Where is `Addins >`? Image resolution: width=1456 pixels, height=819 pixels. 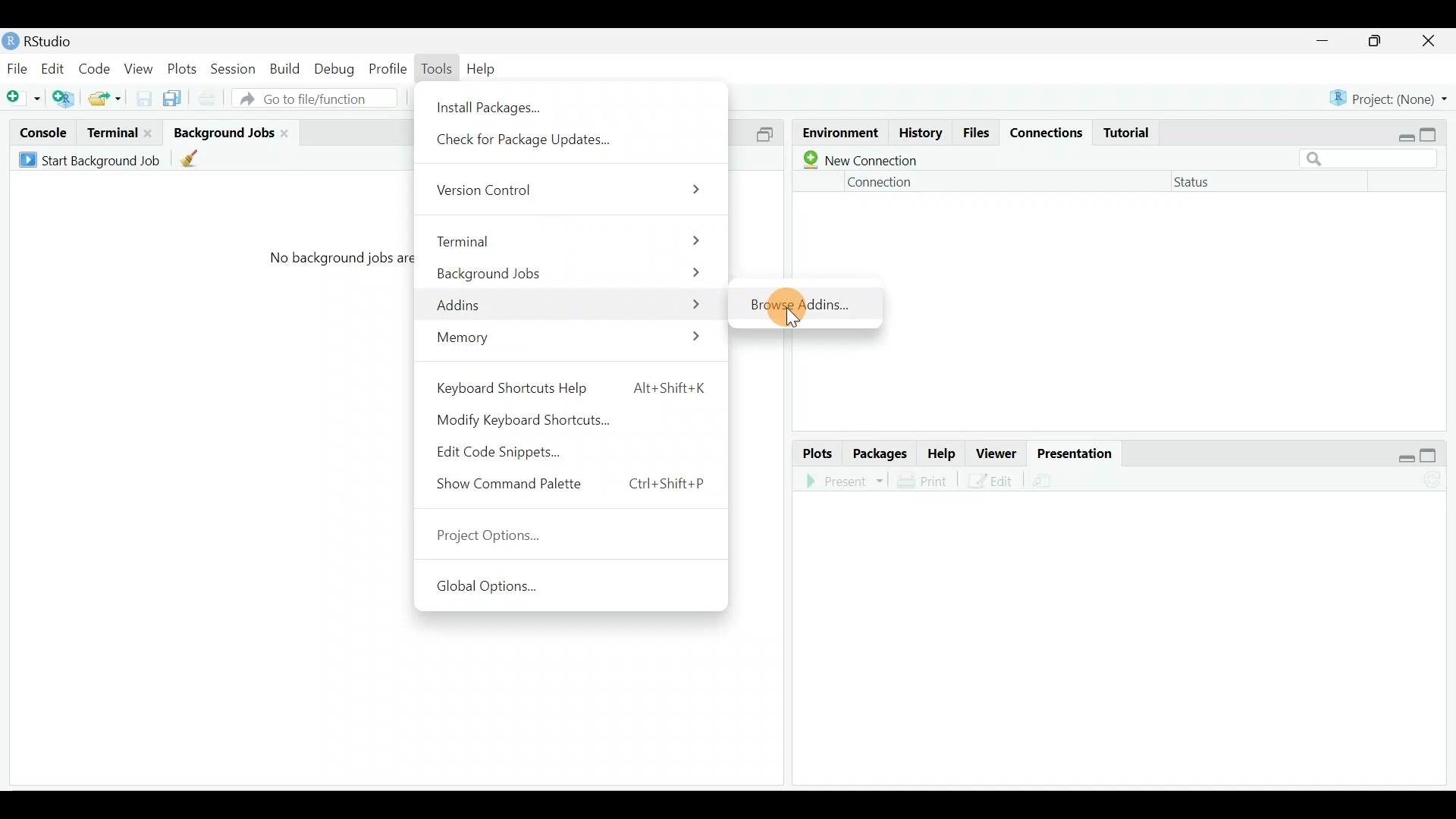 Addins > is located at coordinates (569, 302).